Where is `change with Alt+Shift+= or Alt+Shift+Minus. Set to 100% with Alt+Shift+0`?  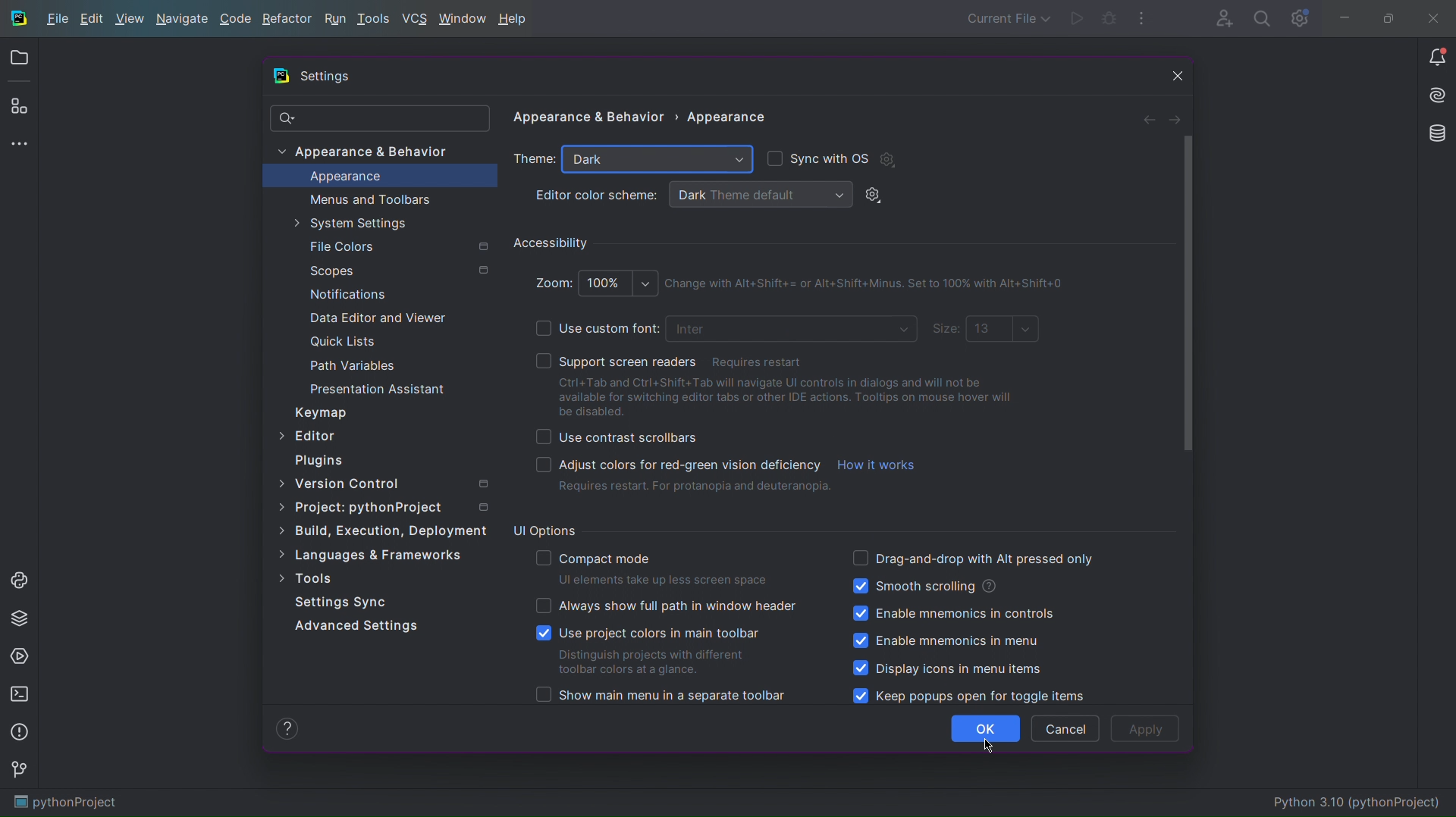
change with Alt+Shift+= or Alt+Shift+Minus. Set to 100% with Alt+Shift+0 is located at coordinates (875, 283).